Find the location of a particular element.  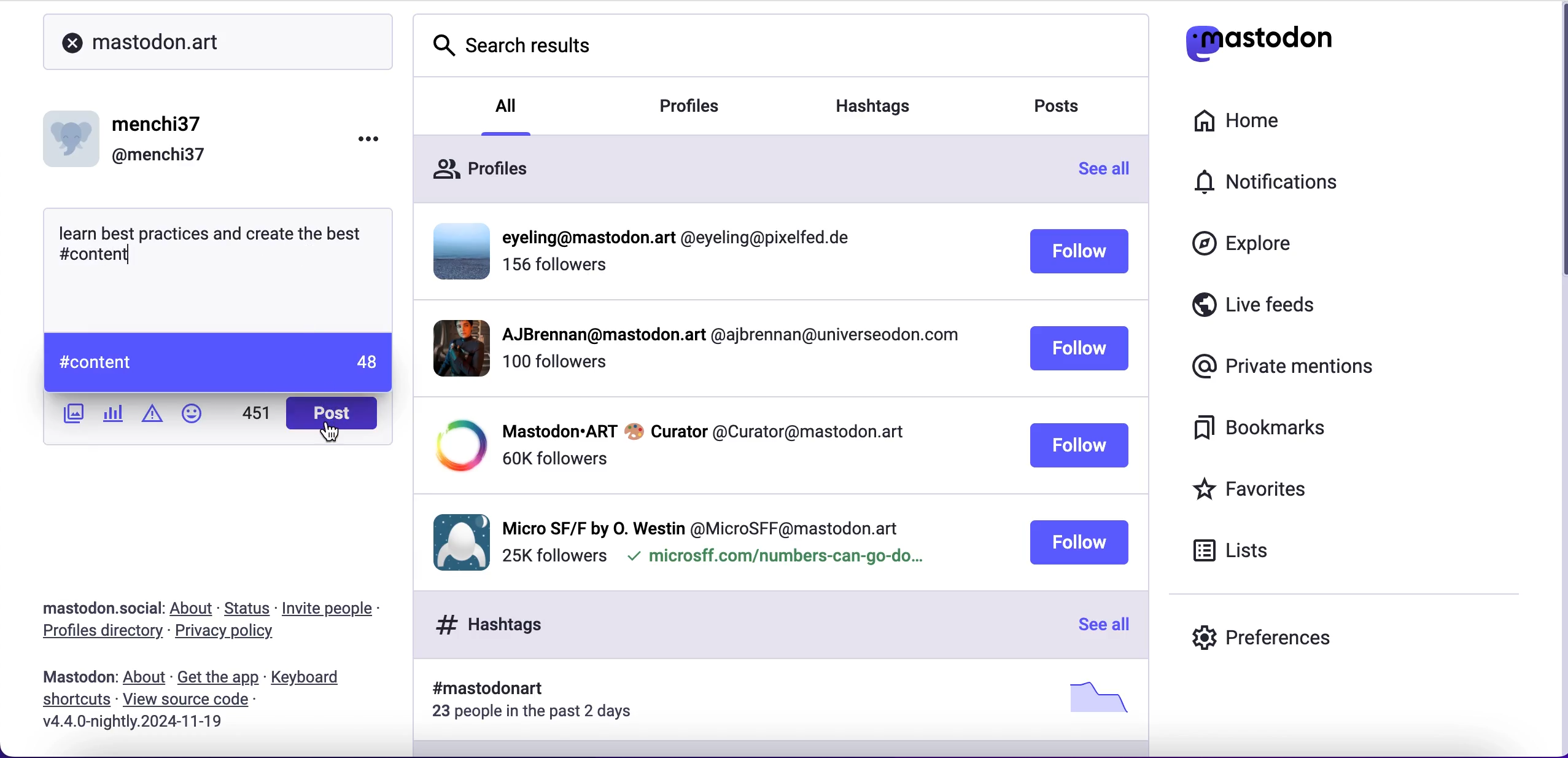

profiles is located at coordinates (480, 161).